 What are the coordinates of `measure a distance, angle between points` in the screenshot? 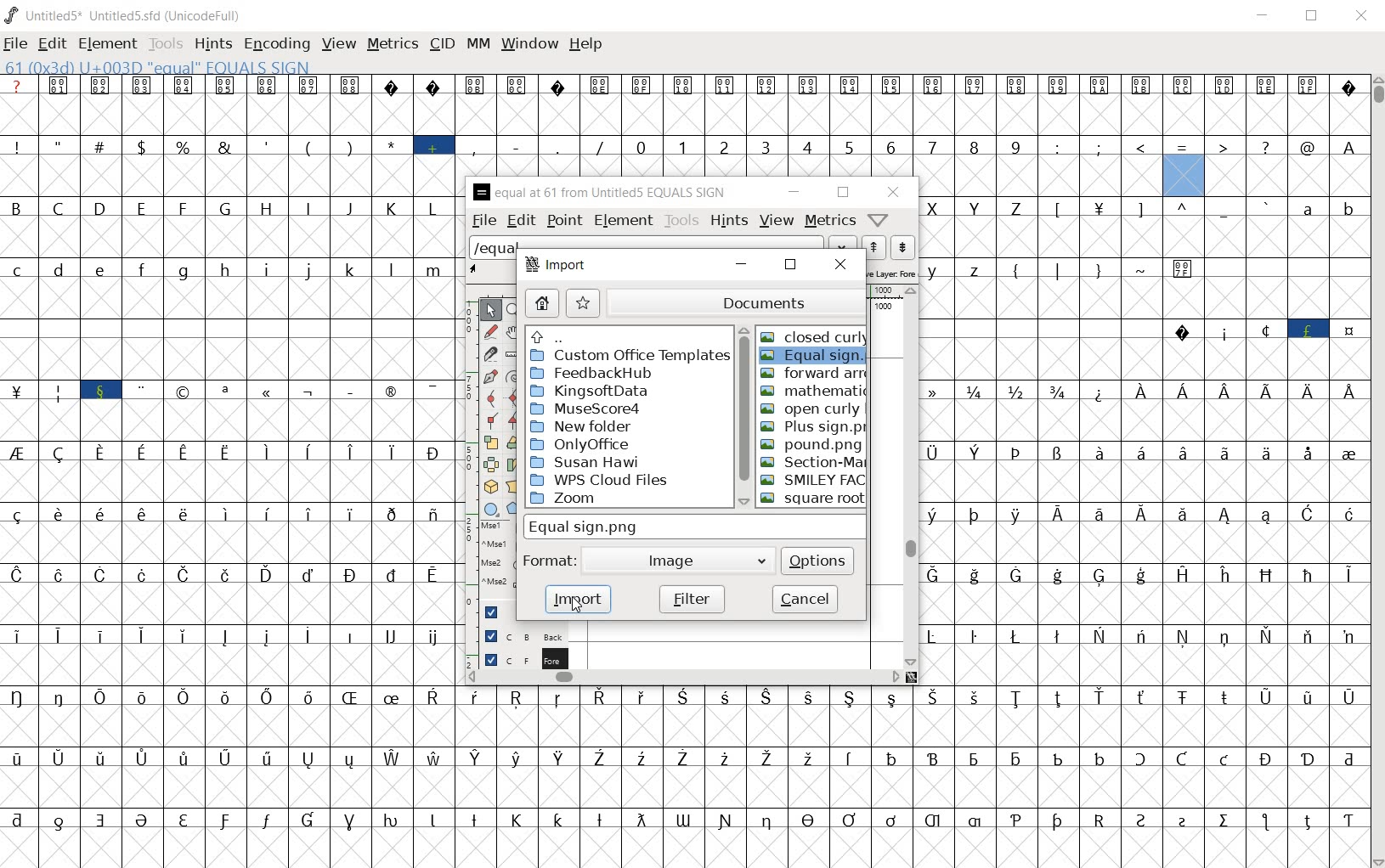 It's located at (515, 353).